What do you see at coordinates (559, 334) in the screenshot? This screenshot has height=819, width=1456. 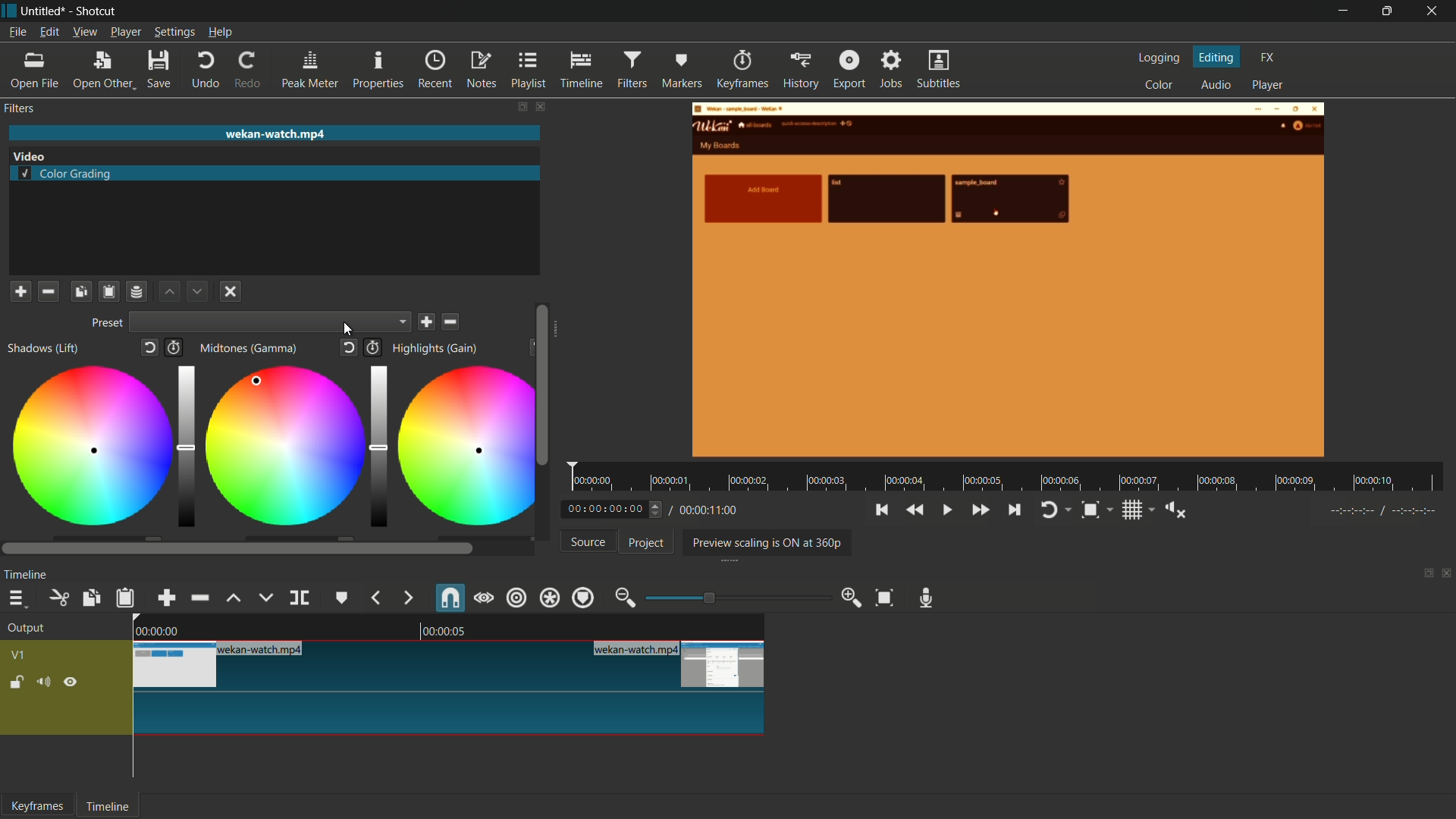 I see `scroll bar` at bounding box center [559, 334].